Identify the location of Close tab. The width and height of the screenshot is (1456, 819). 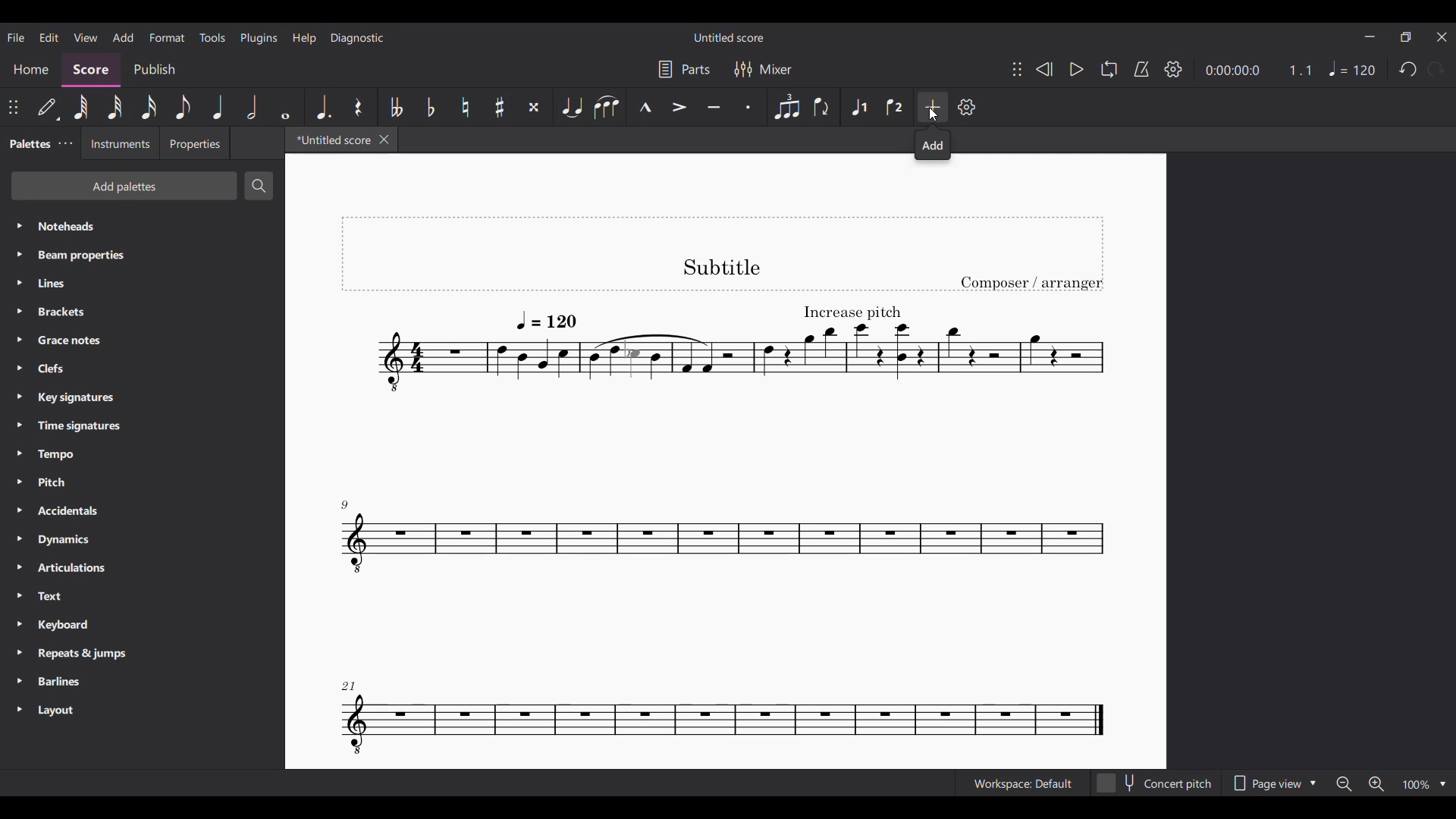
(384, 139).